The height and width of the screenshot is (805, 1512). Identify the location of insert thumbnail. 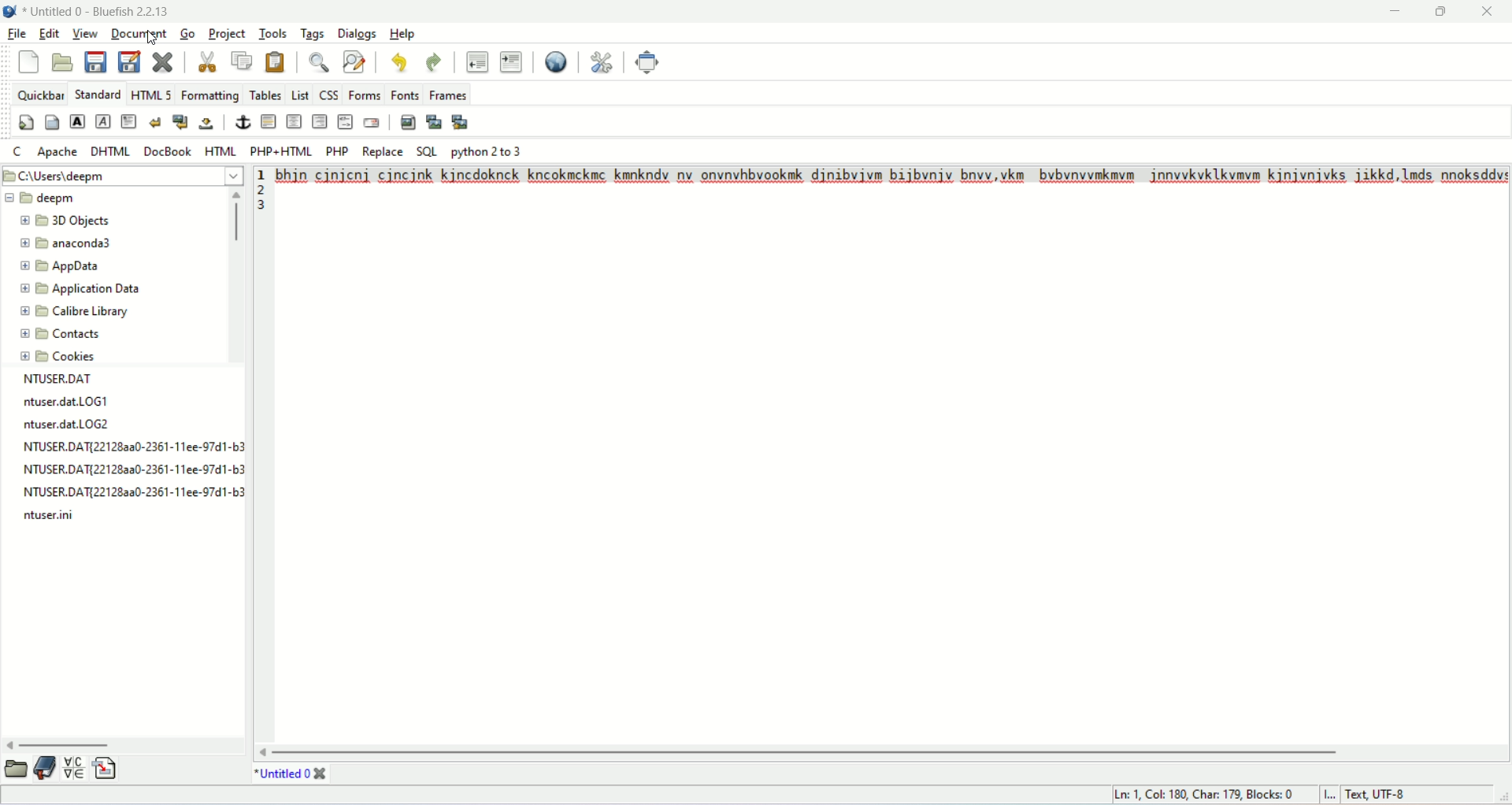
(435, 121).